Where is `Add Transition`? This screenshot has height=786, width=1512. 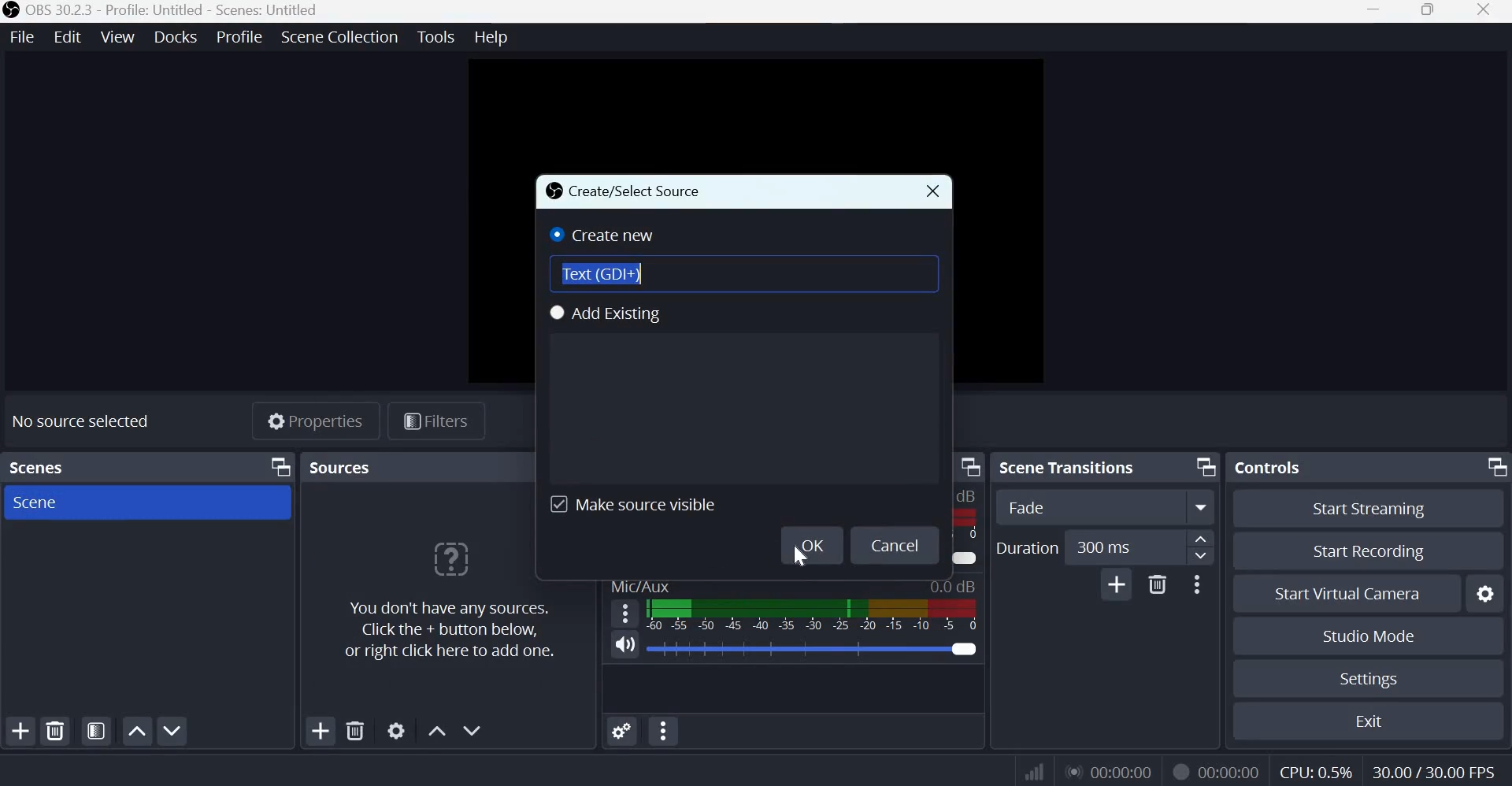
Add Transition is located at coordinates (1117, 584).